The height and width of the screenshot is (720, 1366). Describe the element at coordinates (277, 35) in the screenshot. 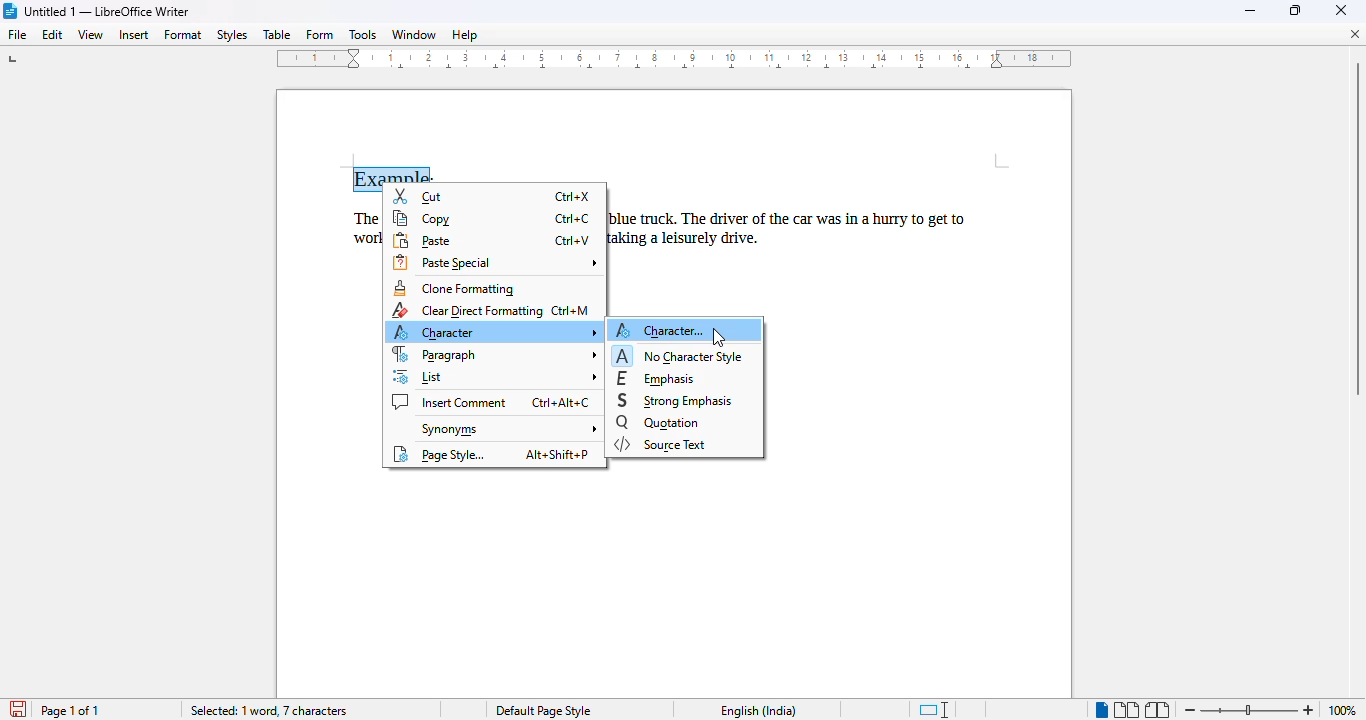

I see `table` at that location.